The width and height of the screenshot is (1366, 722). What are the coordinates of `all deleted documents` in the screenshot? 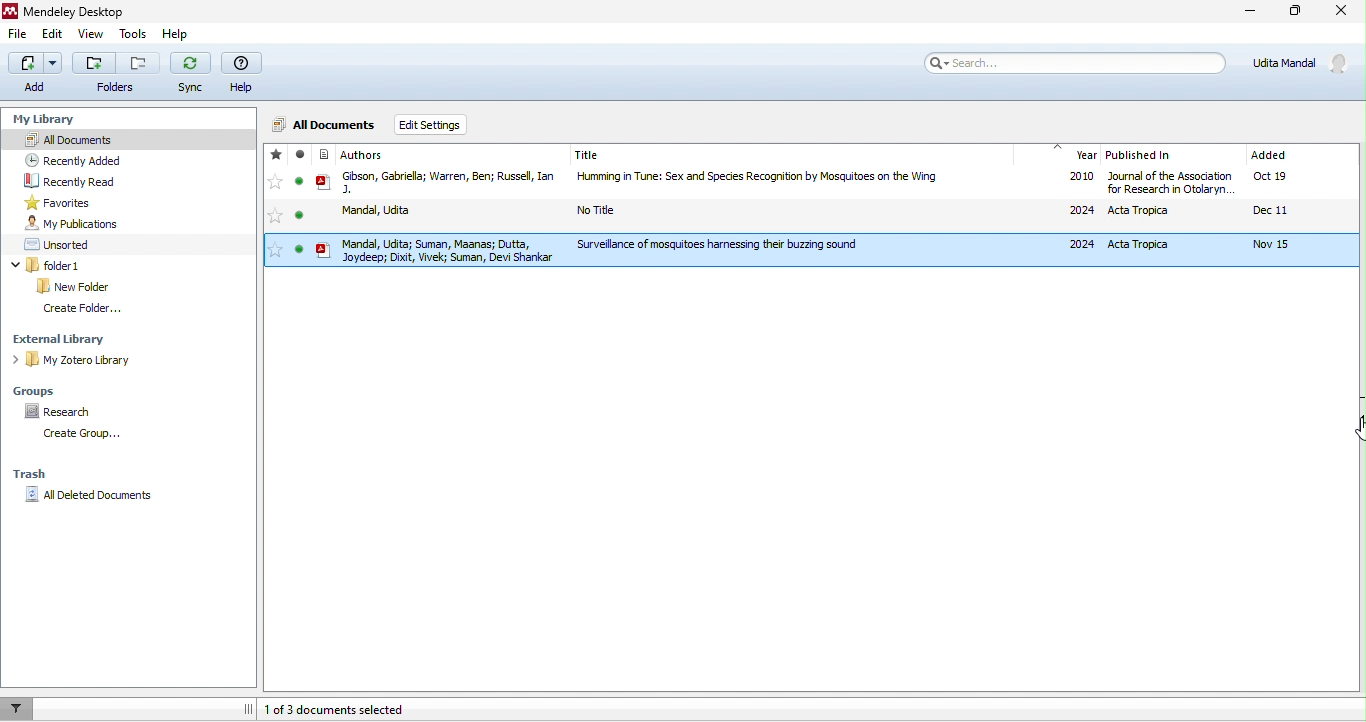 It's located at (90, 494).